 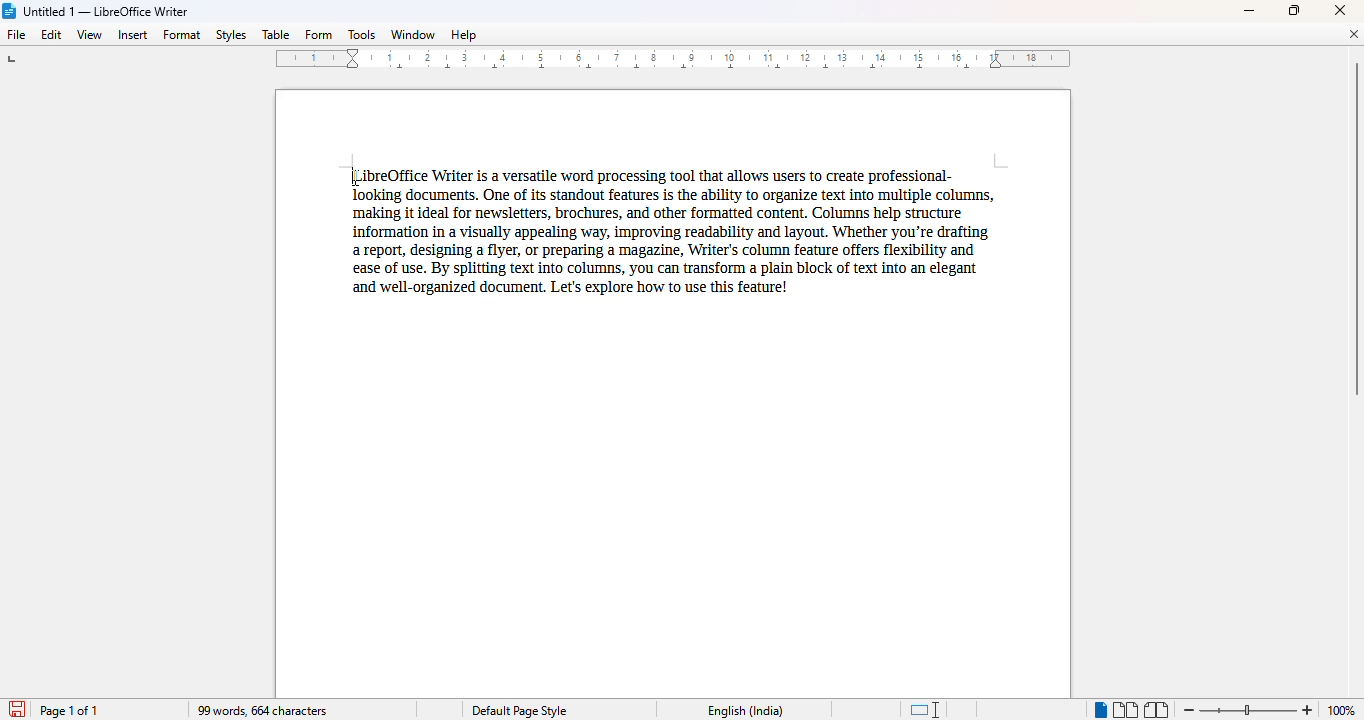 I want to click on save document, so click(x=17, y=708).